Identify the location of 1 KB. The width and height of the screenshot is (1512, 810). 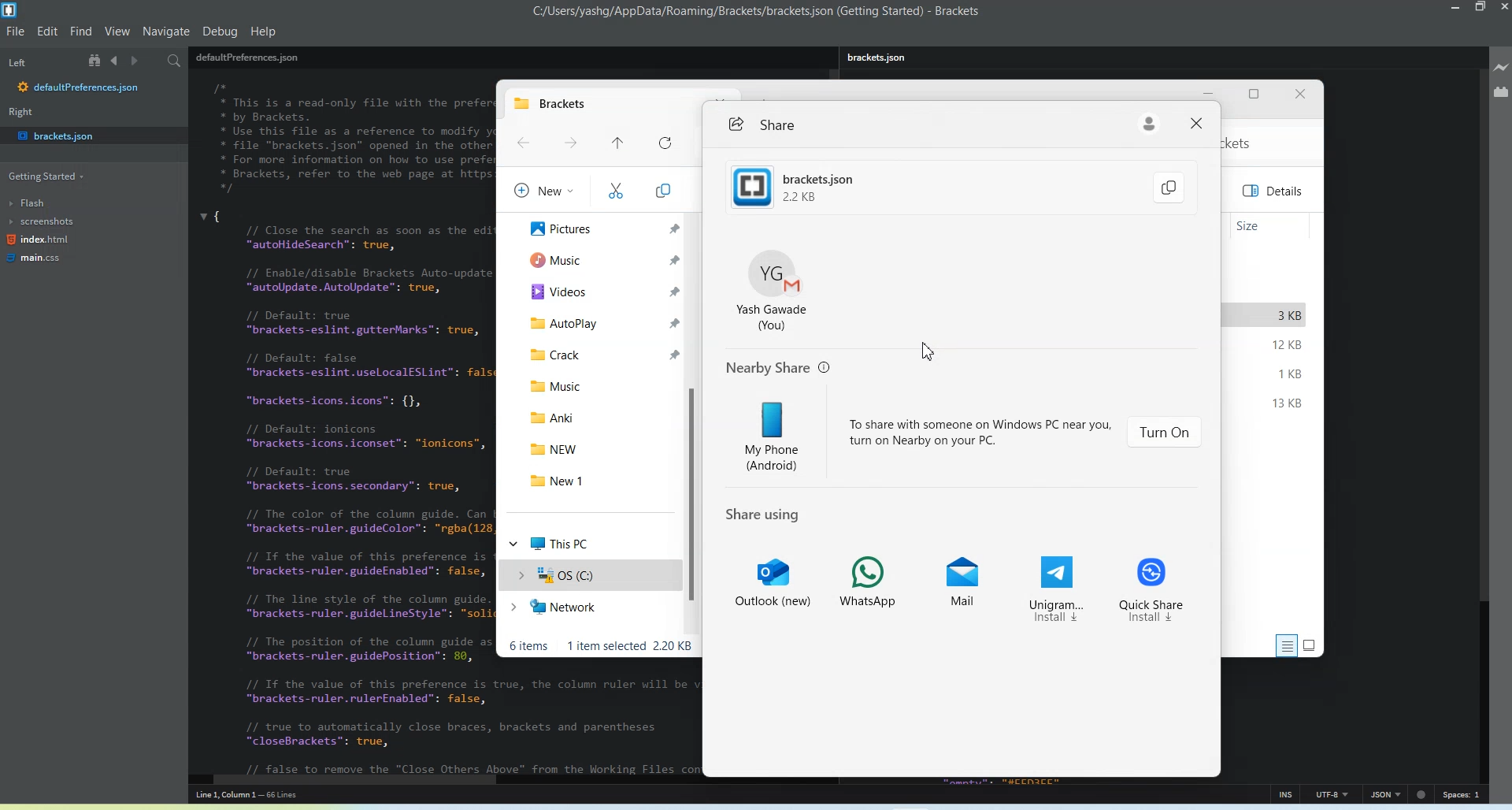
(1290, 376).